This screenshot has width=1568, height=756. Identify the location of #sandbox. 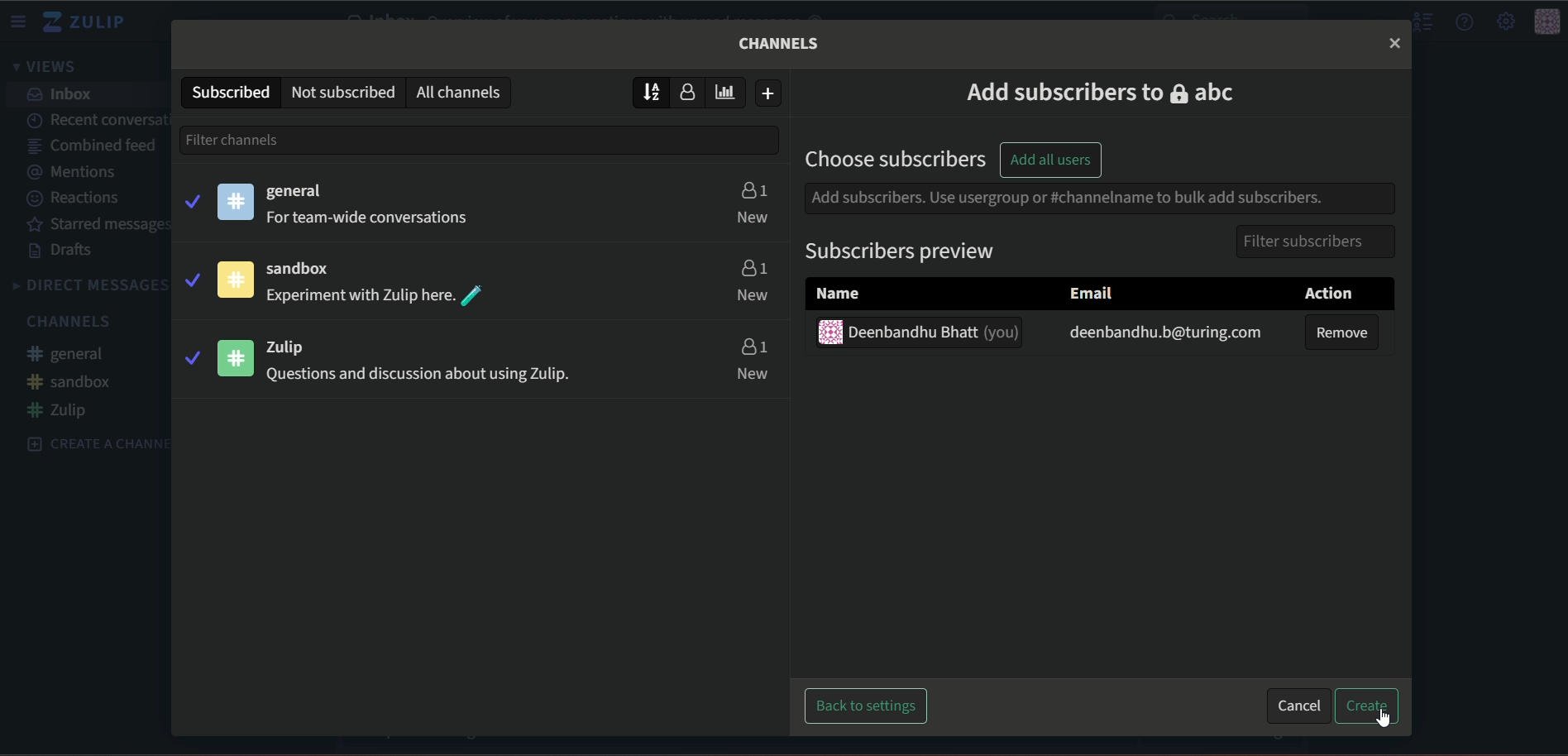
(70, 381).